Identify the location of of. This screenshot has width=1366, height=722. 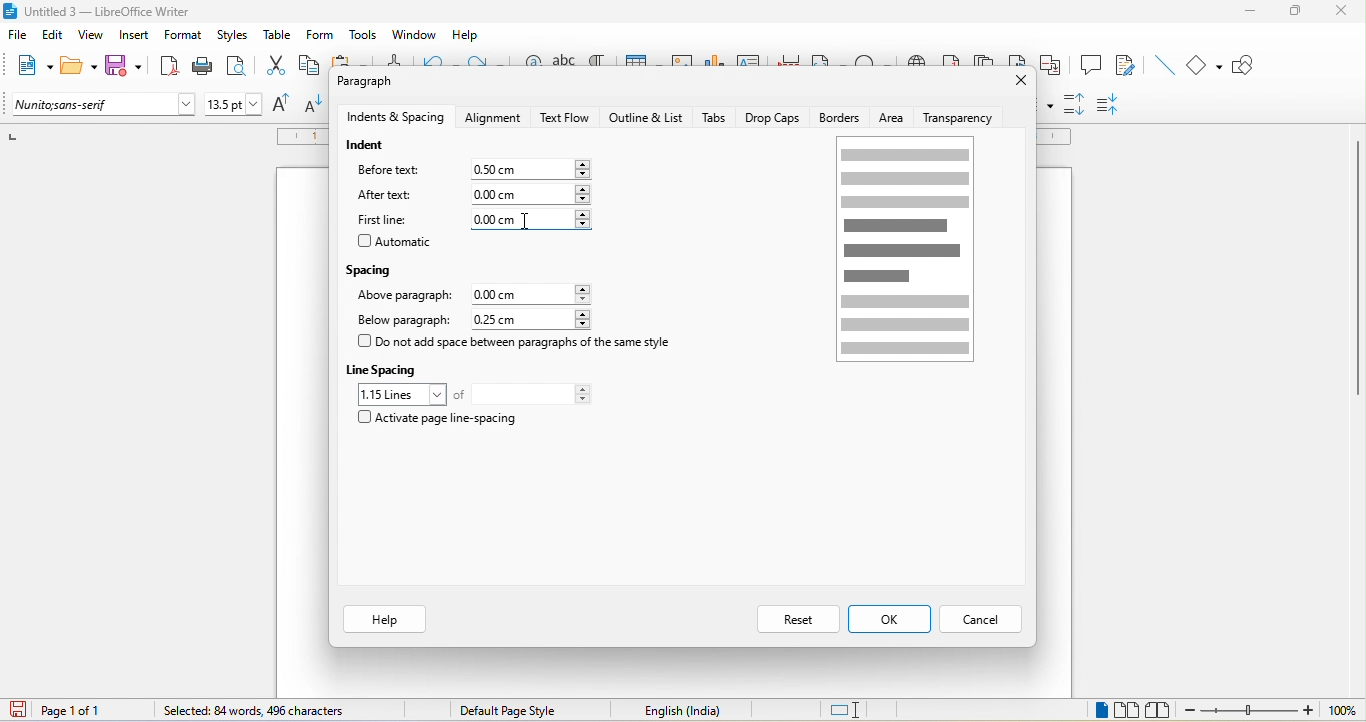
(459, 394).